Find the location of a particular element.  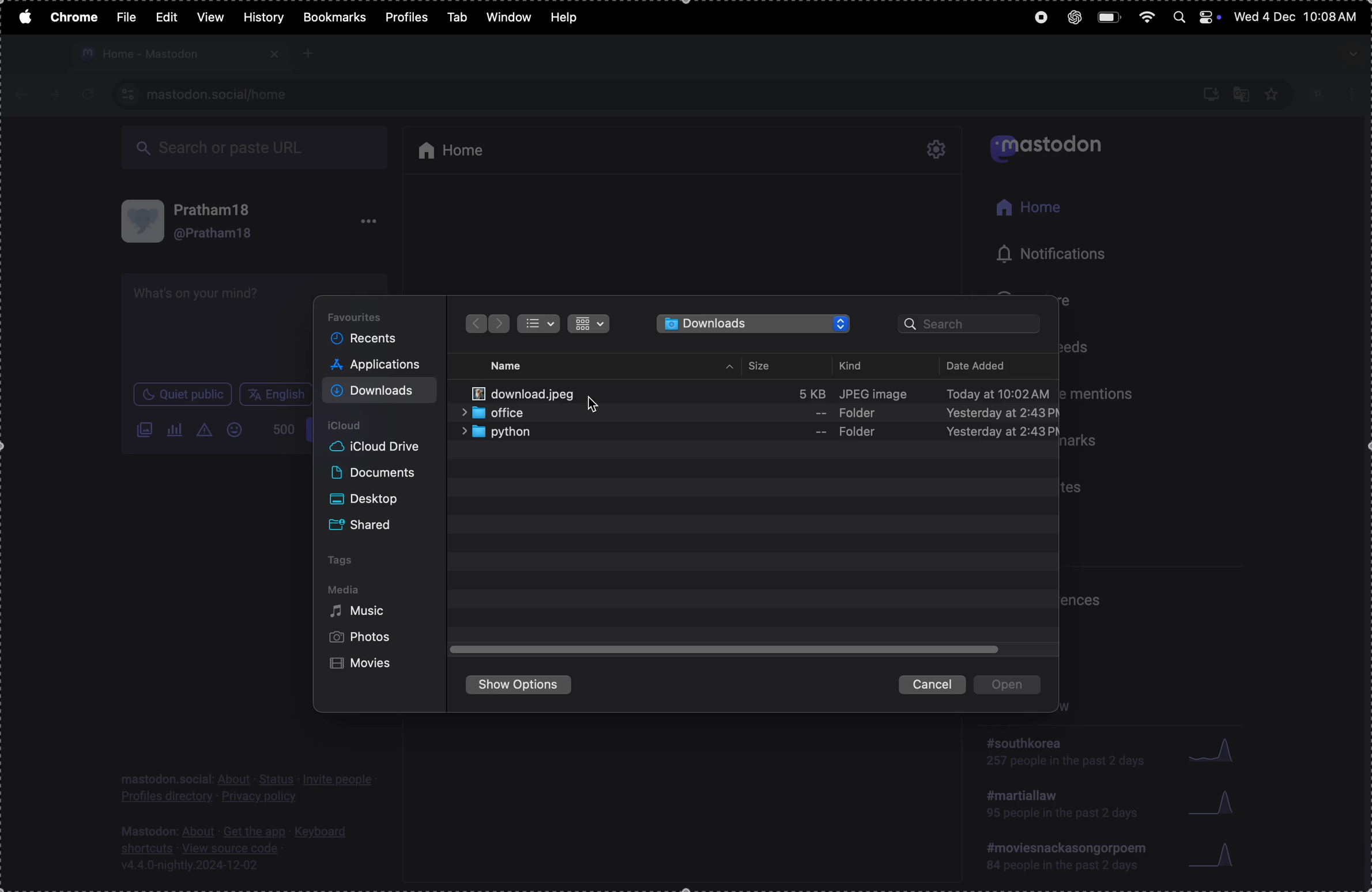

searchbar is located at coordinates (974, 326).